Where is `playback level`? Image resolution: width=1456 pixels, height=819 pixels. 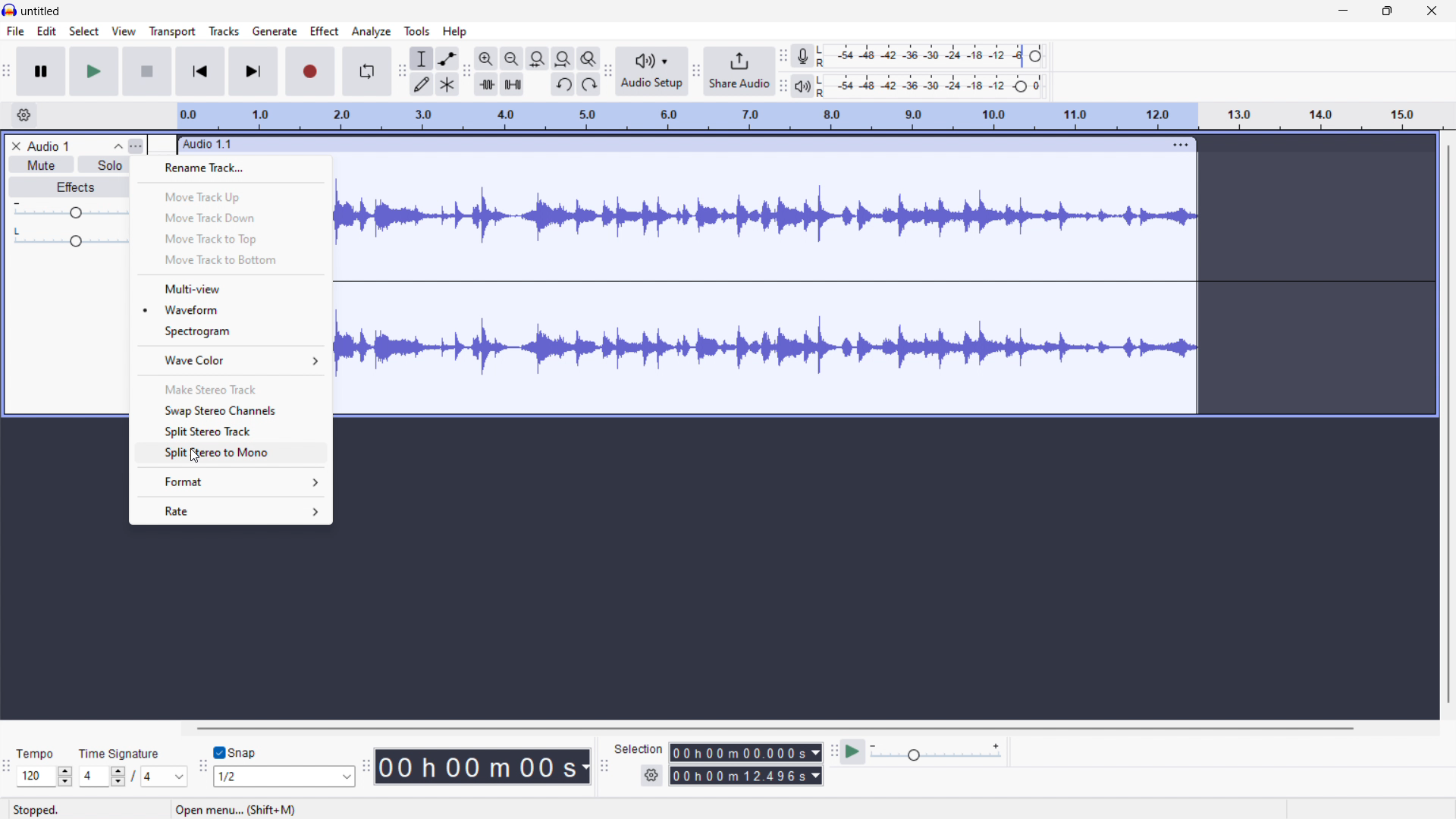 playback level is located at coordinates (930, 86).